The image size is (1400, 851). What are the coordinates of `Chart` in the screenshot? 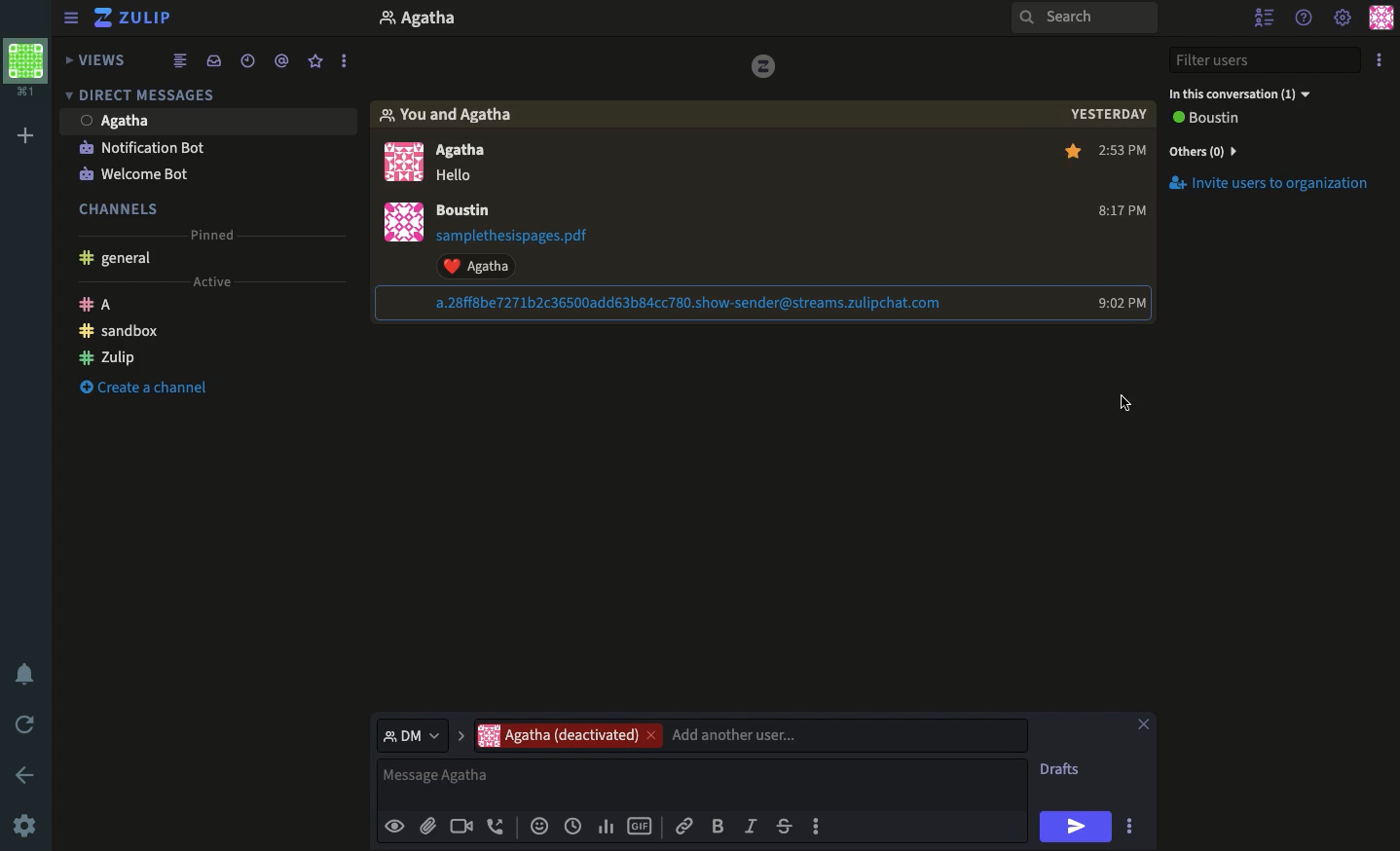 It's located at (608, 828).